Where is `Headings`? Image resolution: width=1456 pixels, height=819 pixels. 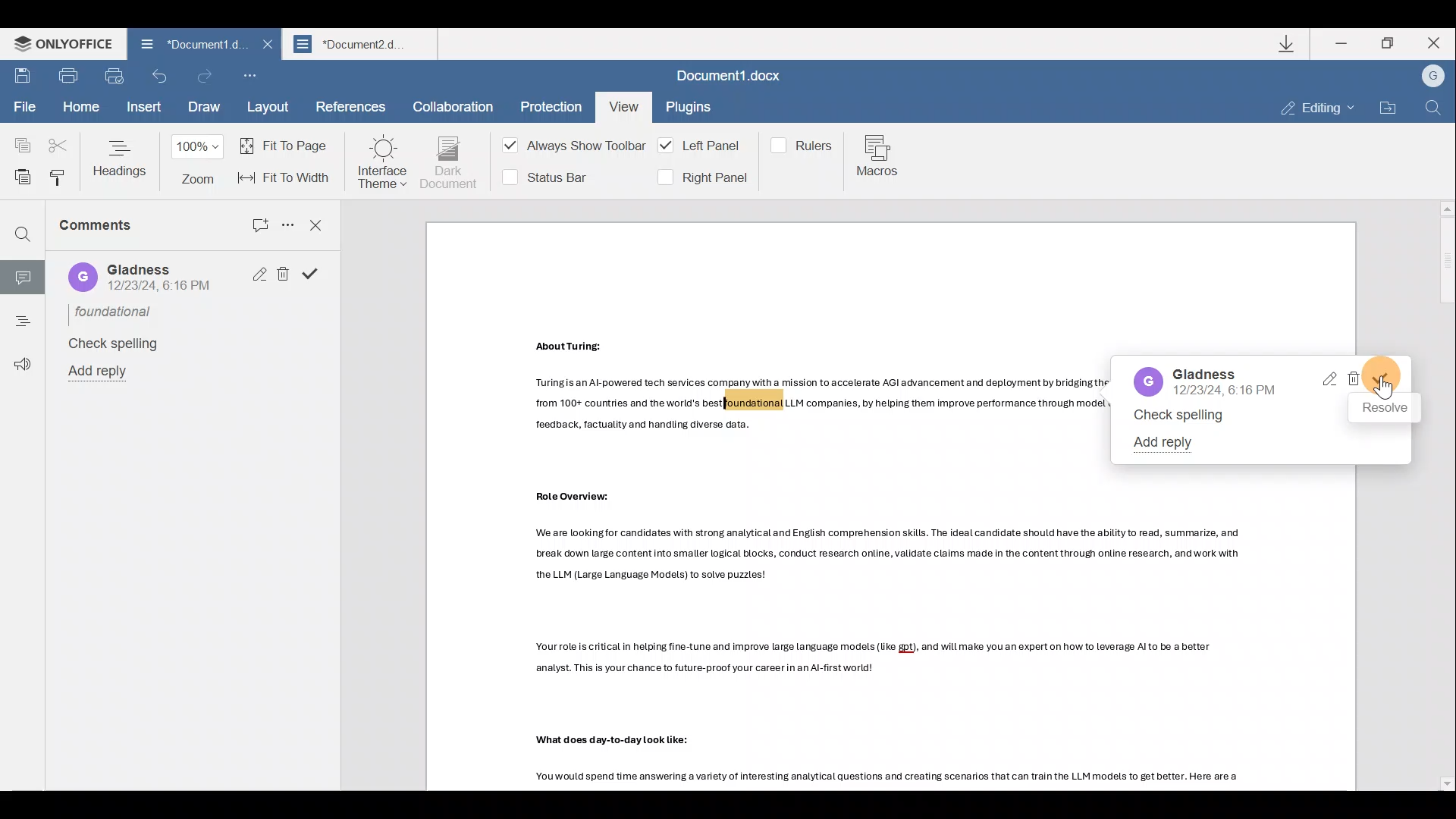 Headings is located at coordinates (121, 158).